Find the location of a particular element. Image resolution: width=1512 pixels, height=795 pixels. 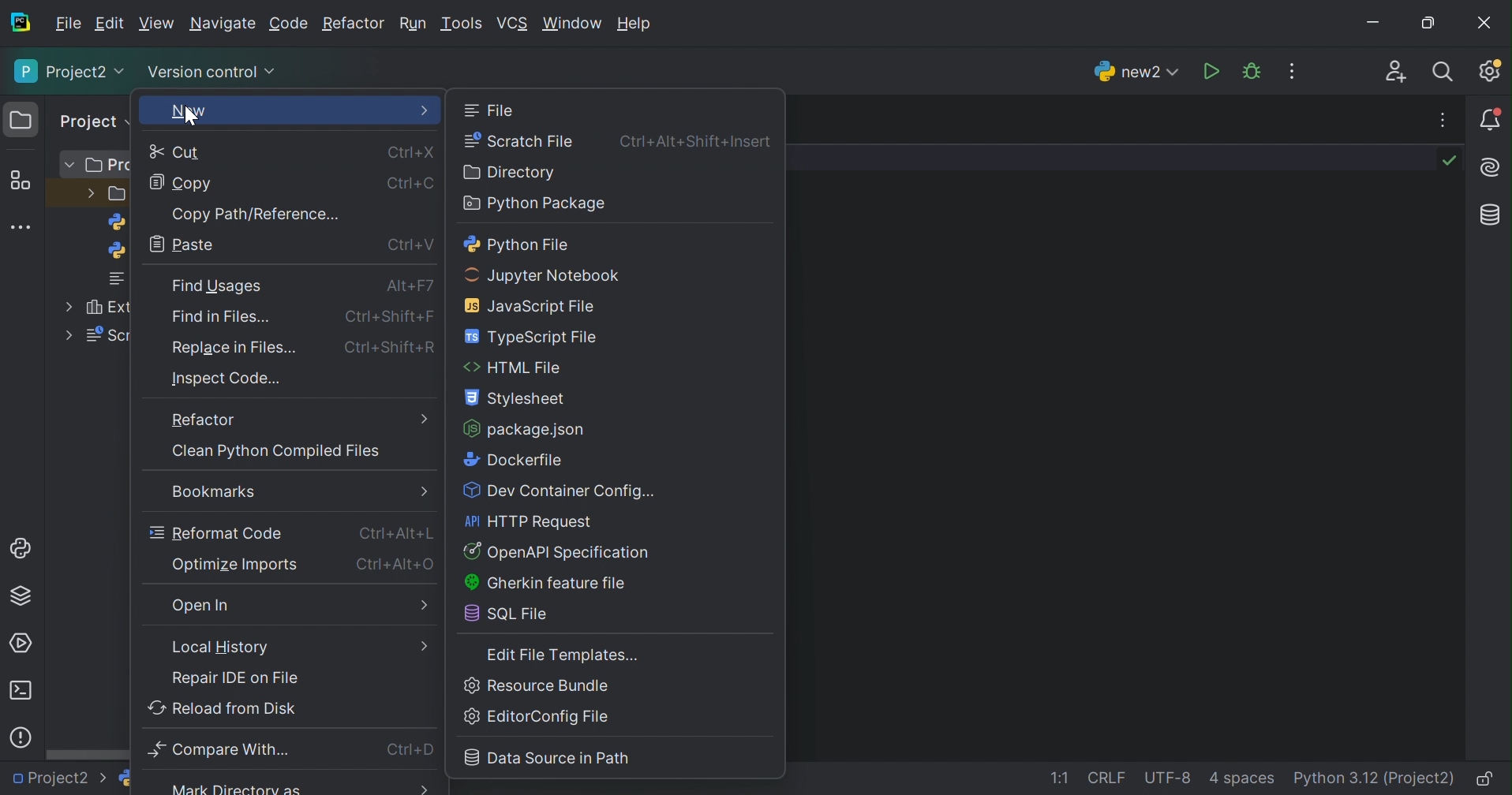

More is located at coordinates (425, 645).